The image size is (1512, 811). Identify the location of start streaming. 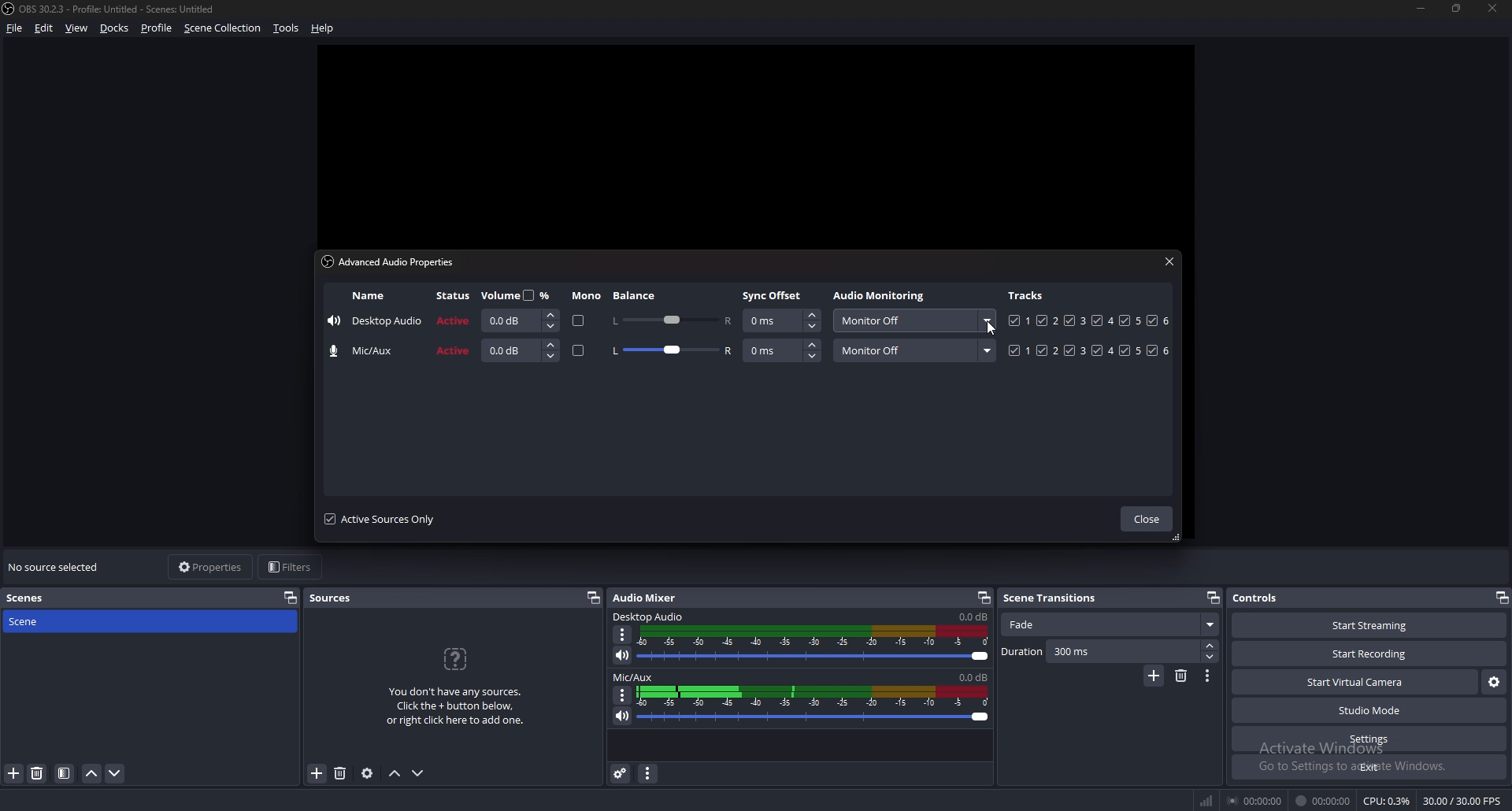
(1360, 626).